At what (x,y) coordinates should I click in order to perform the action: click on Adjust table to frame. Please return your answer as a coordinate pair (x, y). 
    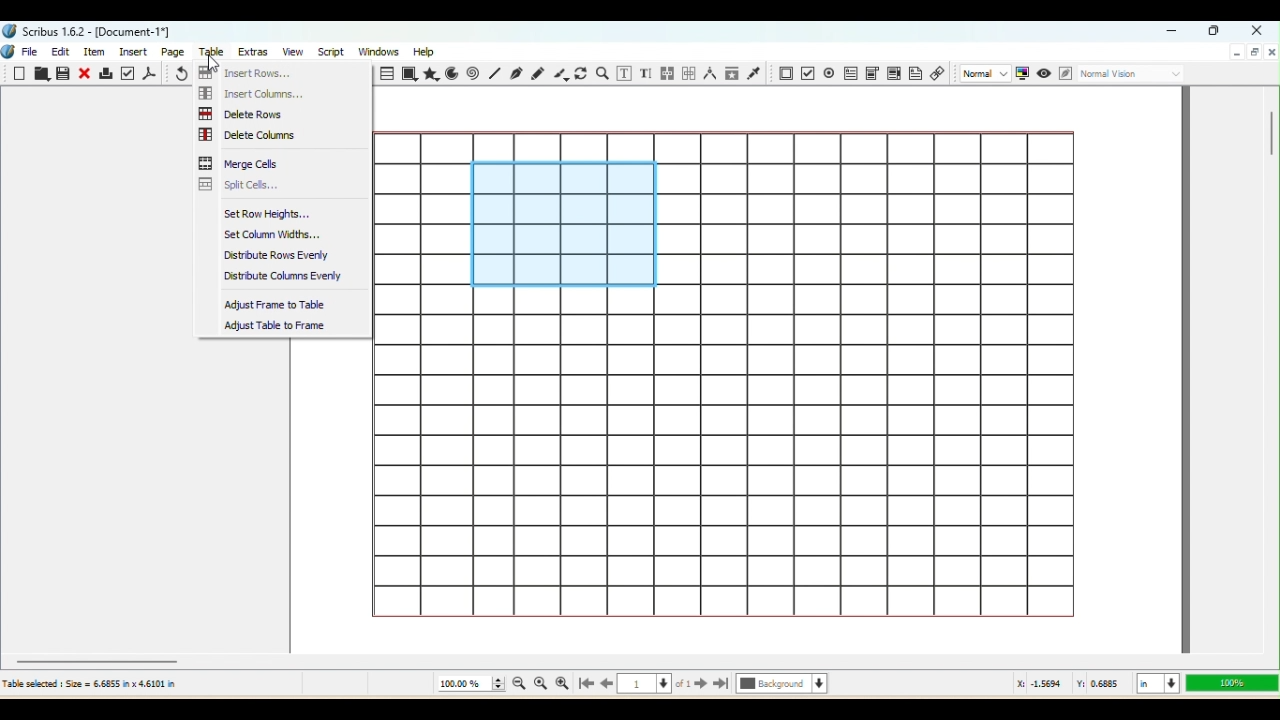
    Looking at the image, I should click on (281, 324).